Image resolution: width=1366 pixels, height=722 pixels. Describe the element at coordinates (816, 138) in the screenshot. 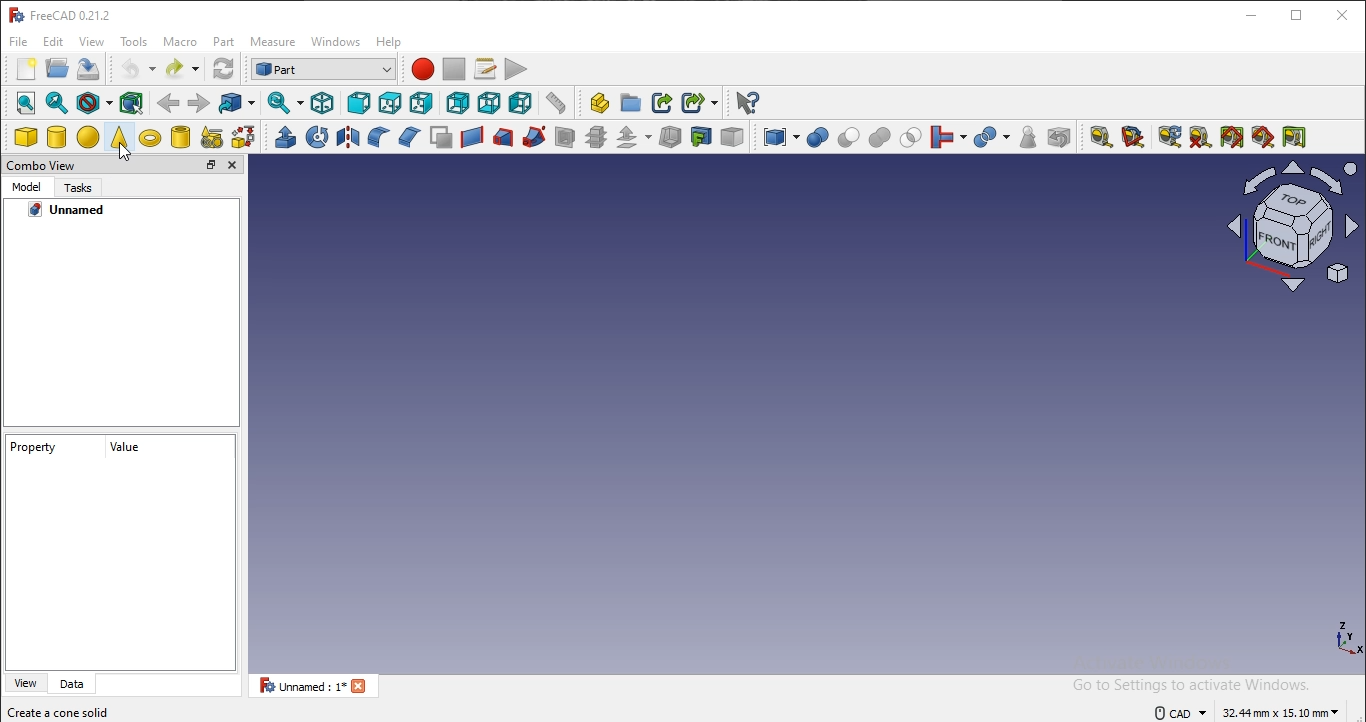

I see `` at that location.